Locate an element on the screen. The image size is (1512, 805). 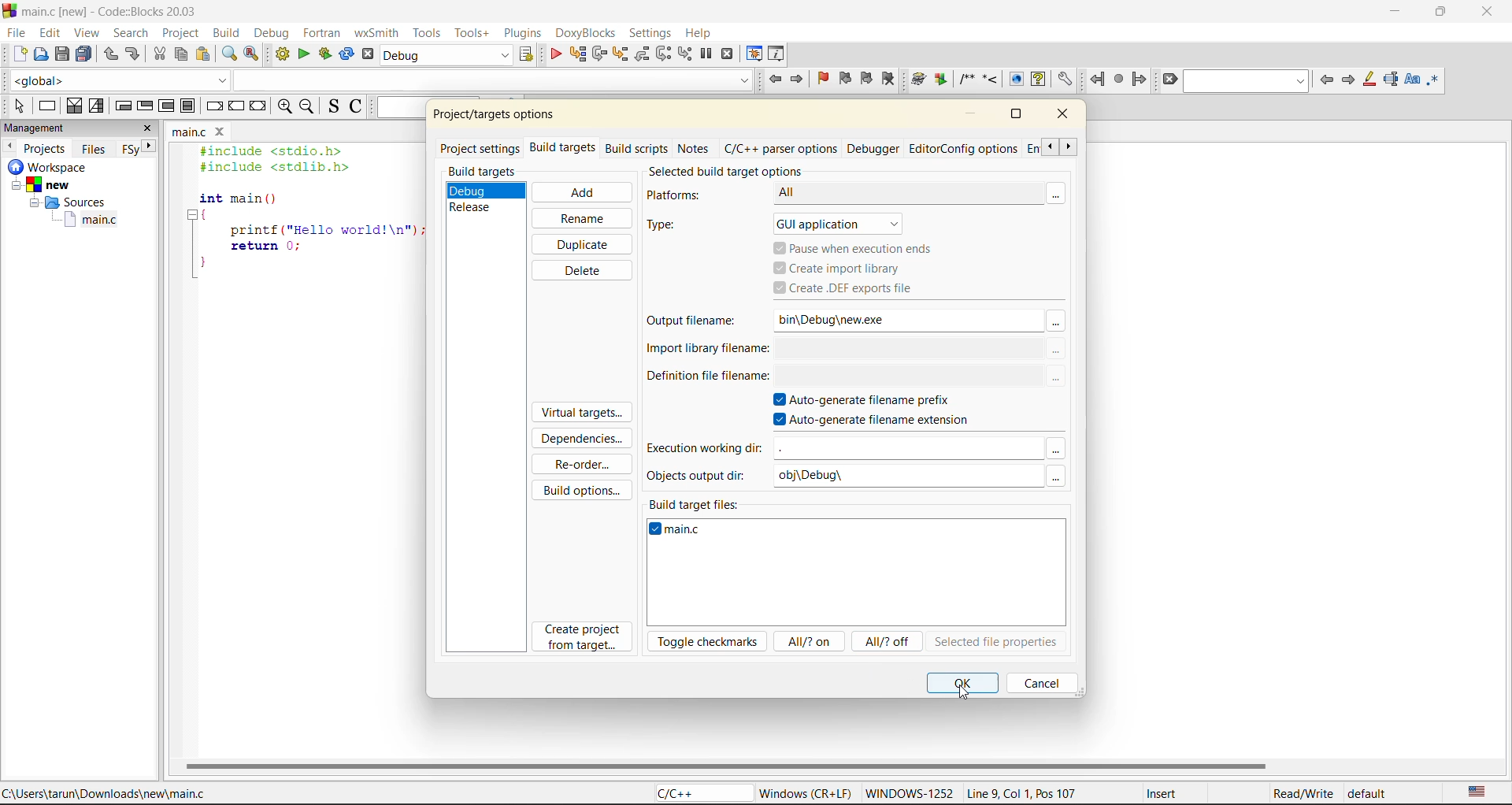
build options is located at coordinates (586, 492).